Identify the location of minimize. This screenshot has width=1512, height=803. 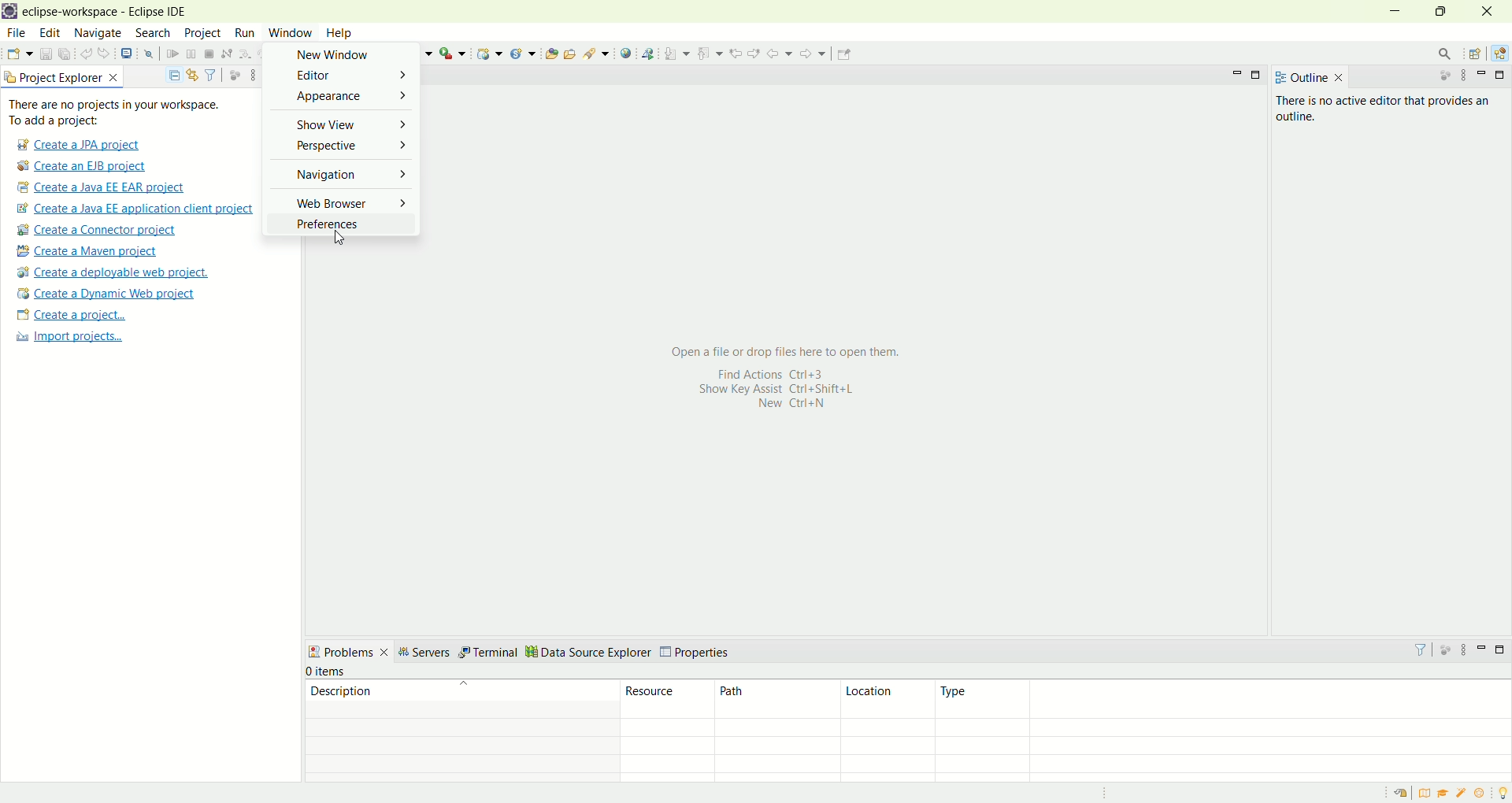
(1482, 647).